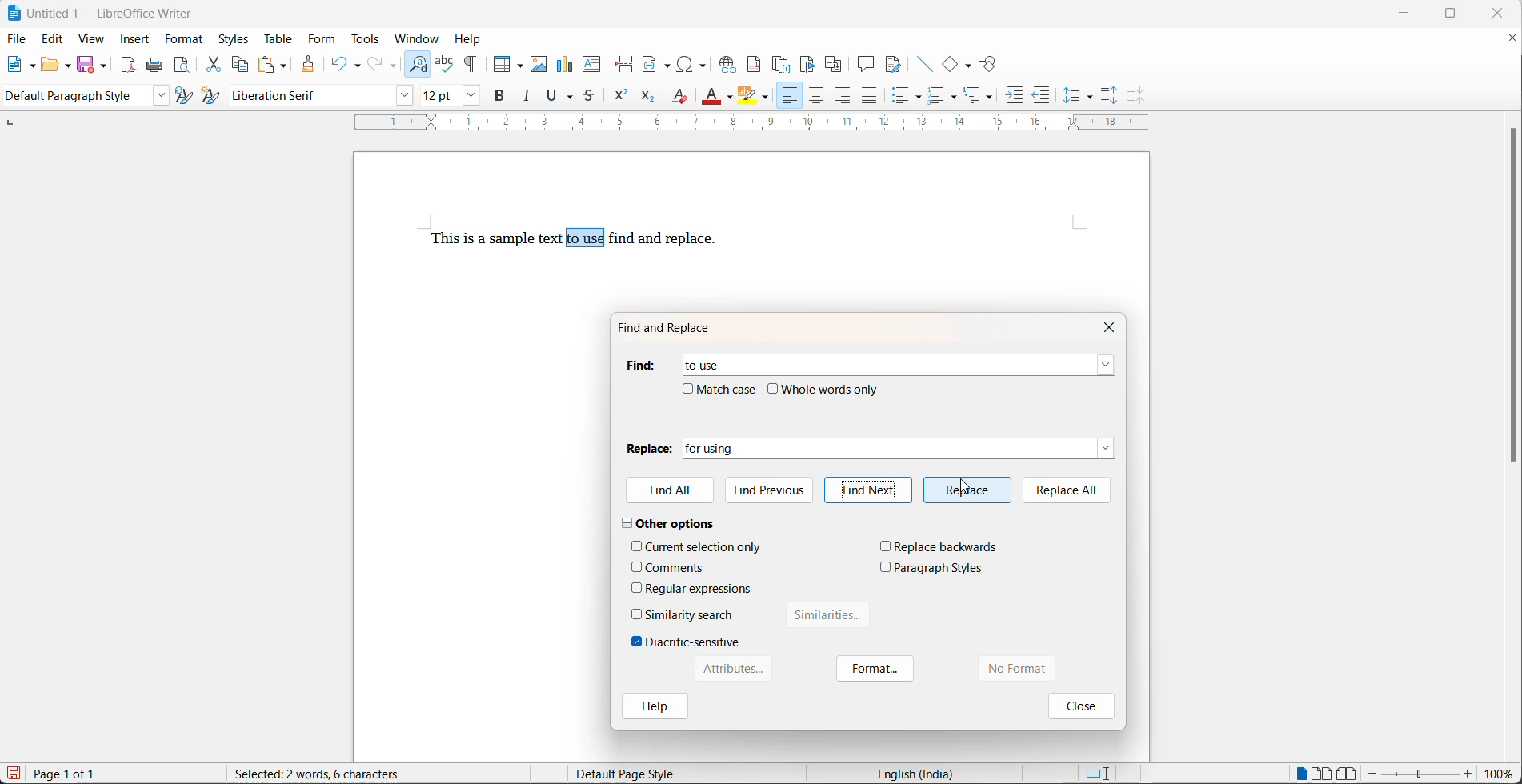 The height and width of the screenshot is (784, 1522). What do you see at coordinates (924, 64) in the screenshot?
I see `insert lines` at bounding box center [924, 64].